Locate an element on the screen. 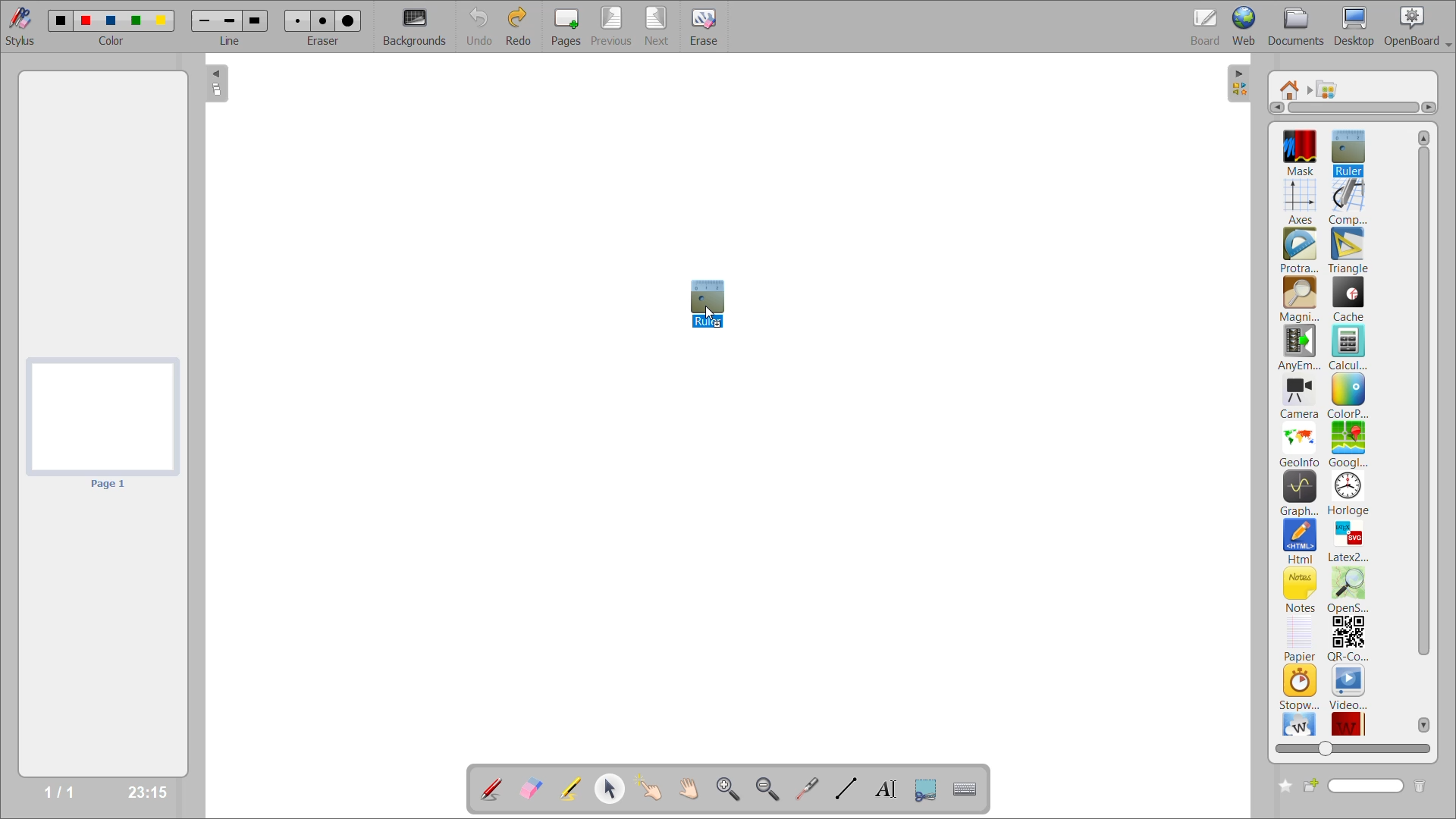  page preview is located at coordinates (100, 425).